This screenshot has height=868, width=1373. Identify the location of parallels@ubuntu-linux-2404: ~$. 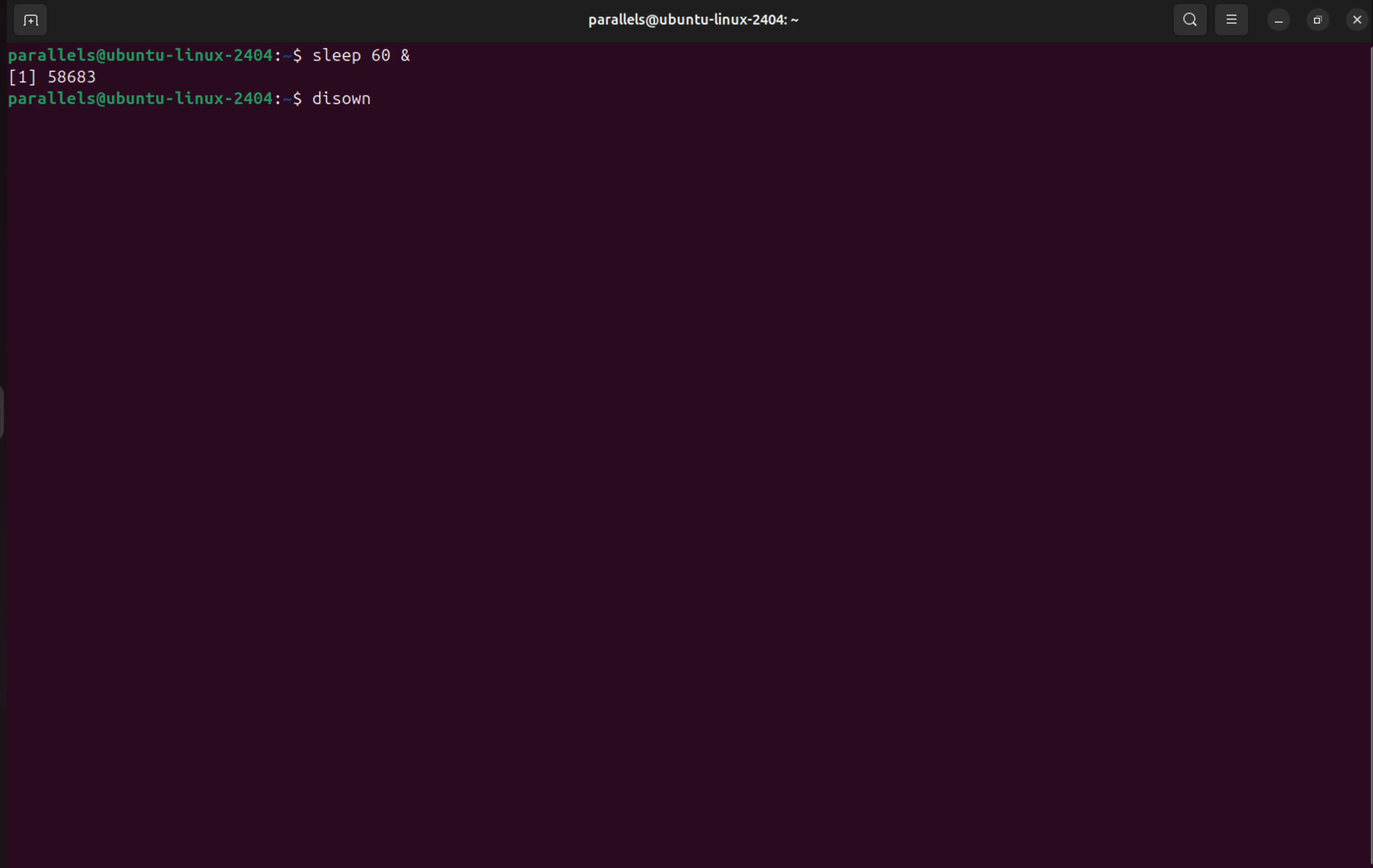
(154, 100).